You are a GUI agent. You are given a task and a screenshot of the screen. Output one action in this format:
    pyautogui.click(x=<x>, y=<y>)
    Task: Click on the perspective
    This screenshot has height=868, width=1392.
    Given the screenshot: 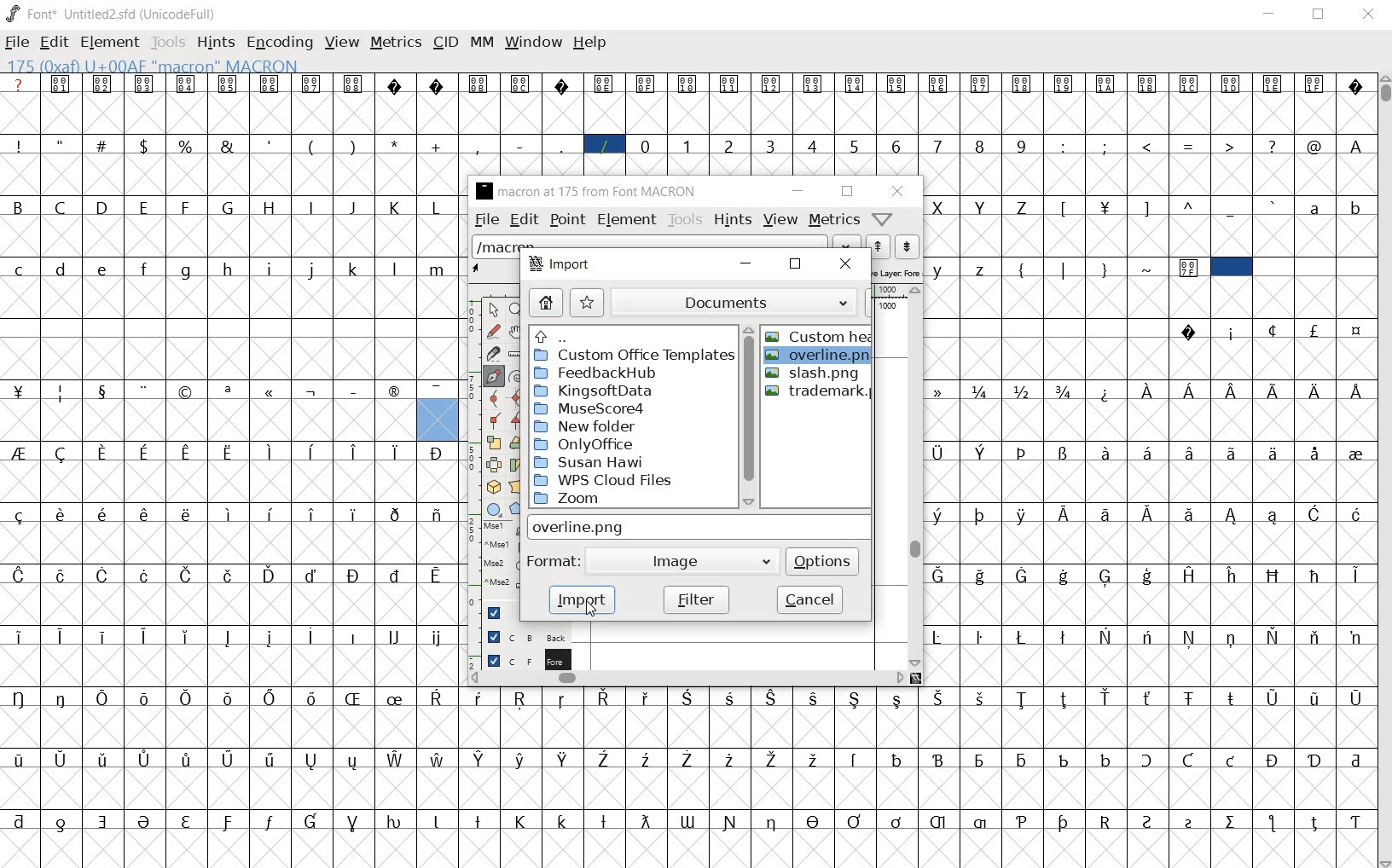 What is the action you would take?
    pyautogui.click(x=514, y=487)
    